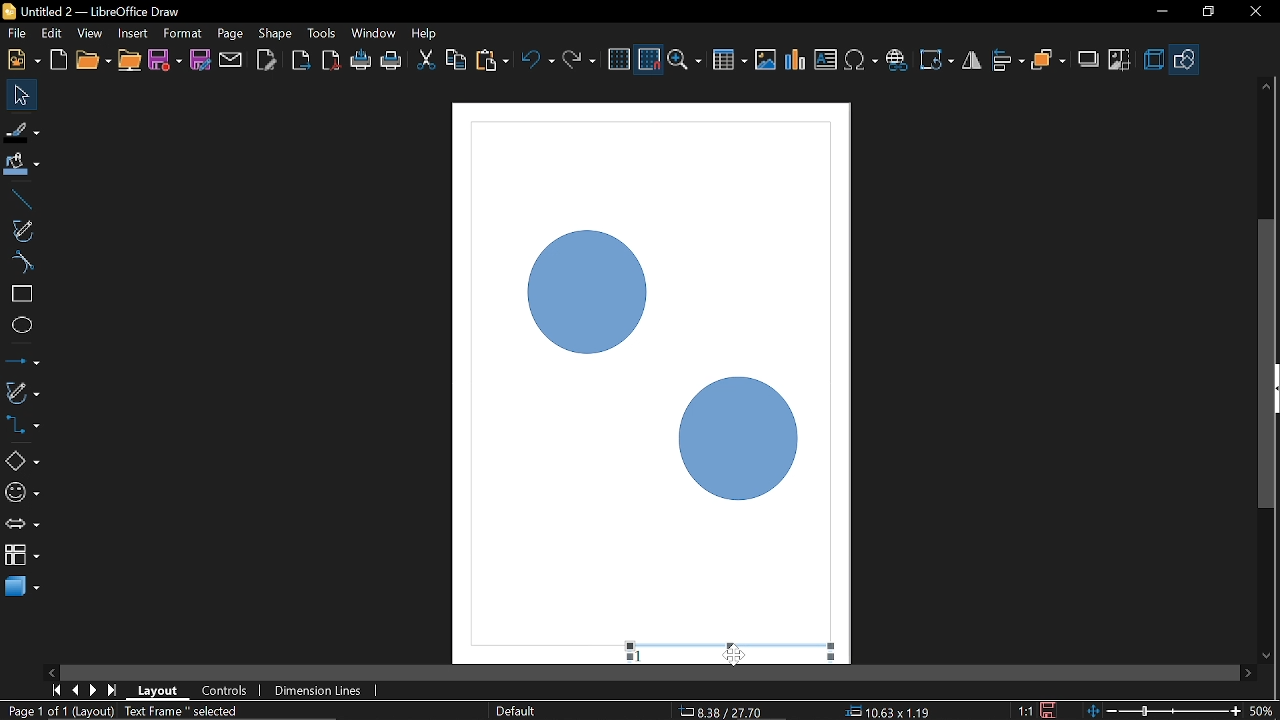 The image size is (1280, 720). I want to click on Next page, so click(94, 690).